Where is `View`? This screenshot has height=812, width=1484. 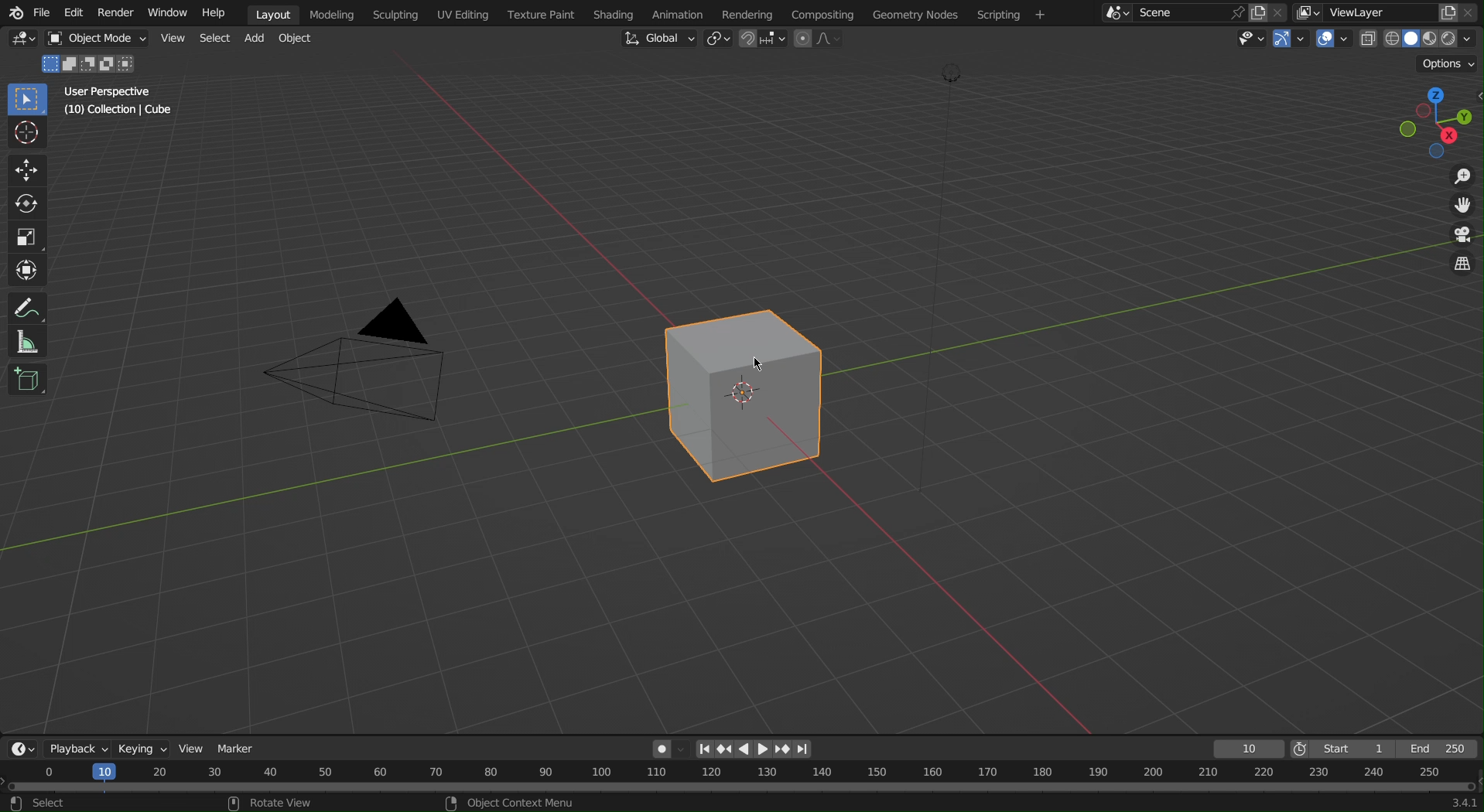 View is located at coordinates (174, 39).